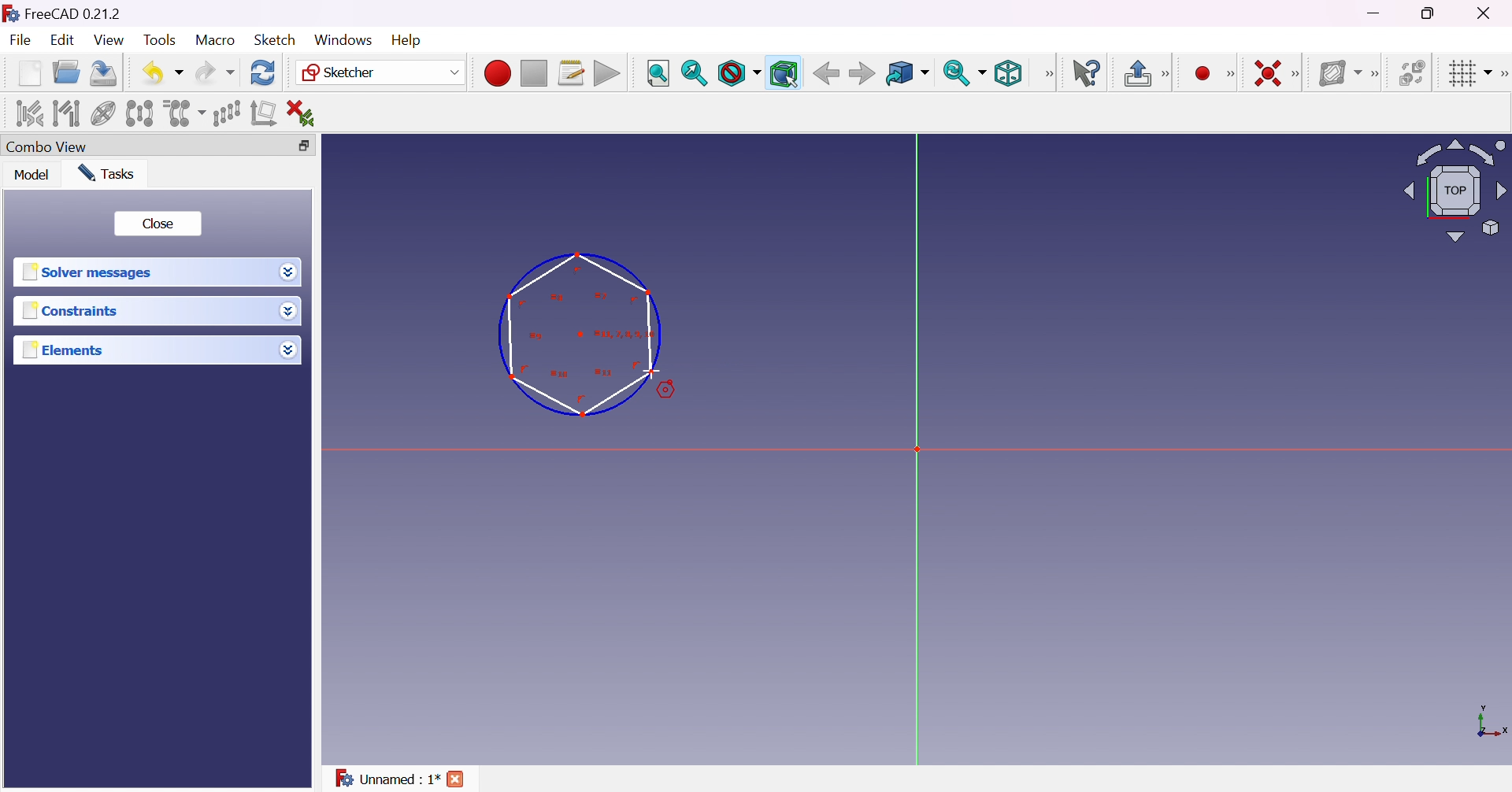  Describe the element at coordinates (109, 174) in the screenshot. I see `Tasks` at that location.